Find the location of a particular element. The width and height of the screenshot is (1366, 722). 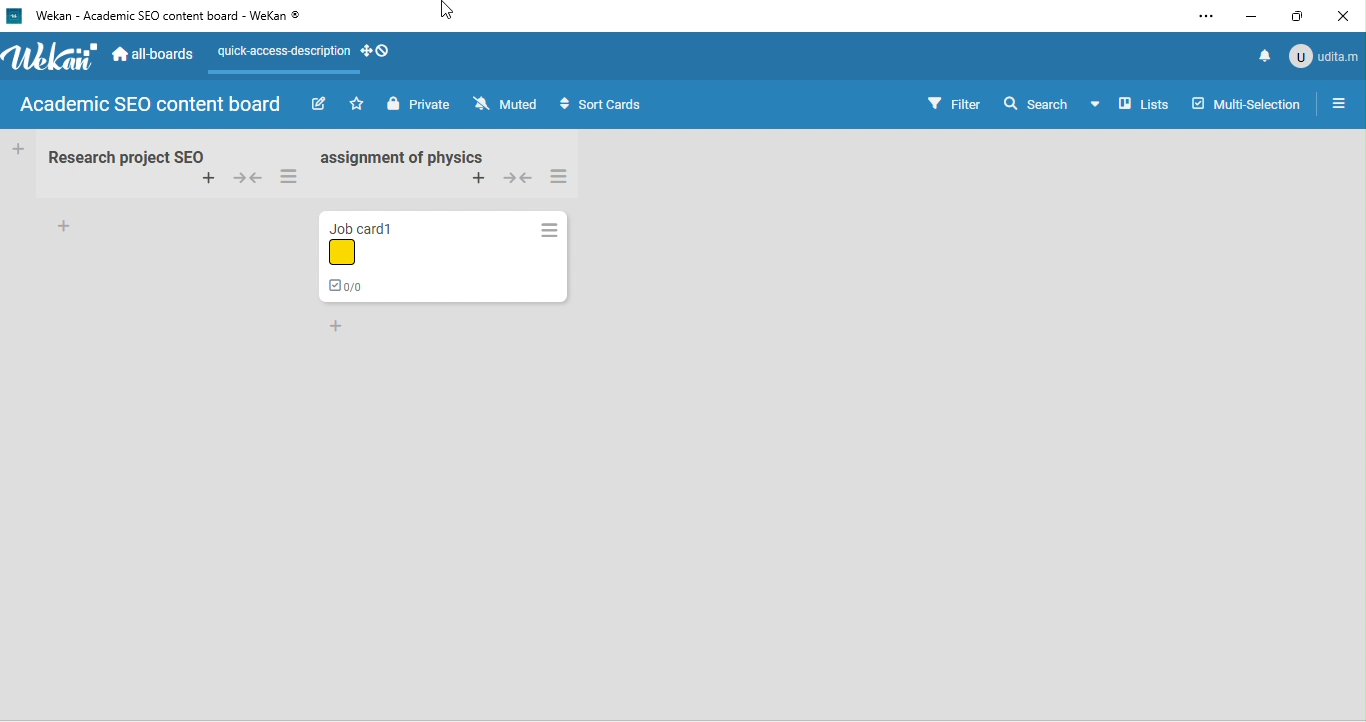

list actions is located at coordinates (289, 176).